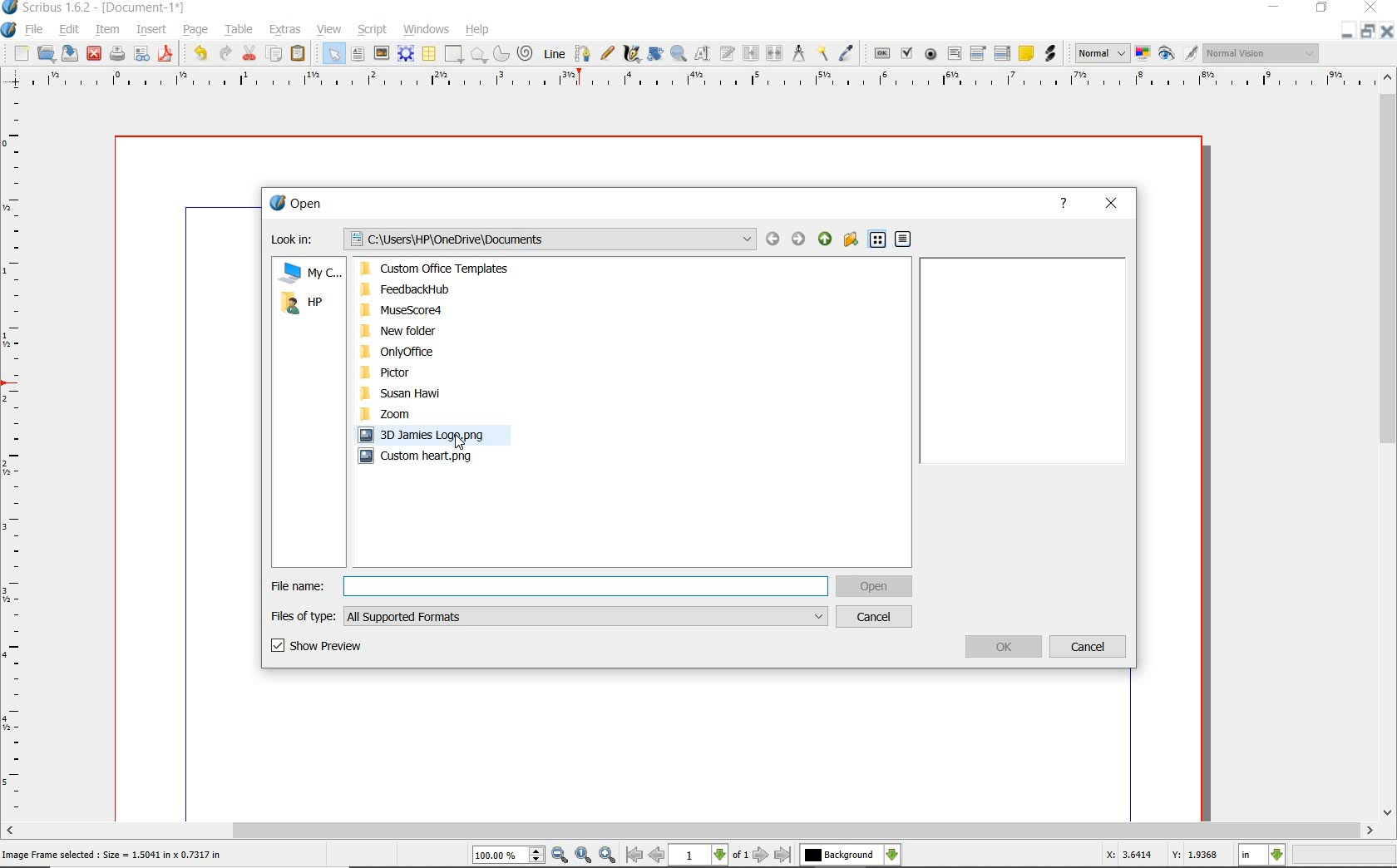 This screenshot has height=868, width=1397. Describe the element at coordinates (689, 831) in the screenshot. I see `scrollbar` at that location.